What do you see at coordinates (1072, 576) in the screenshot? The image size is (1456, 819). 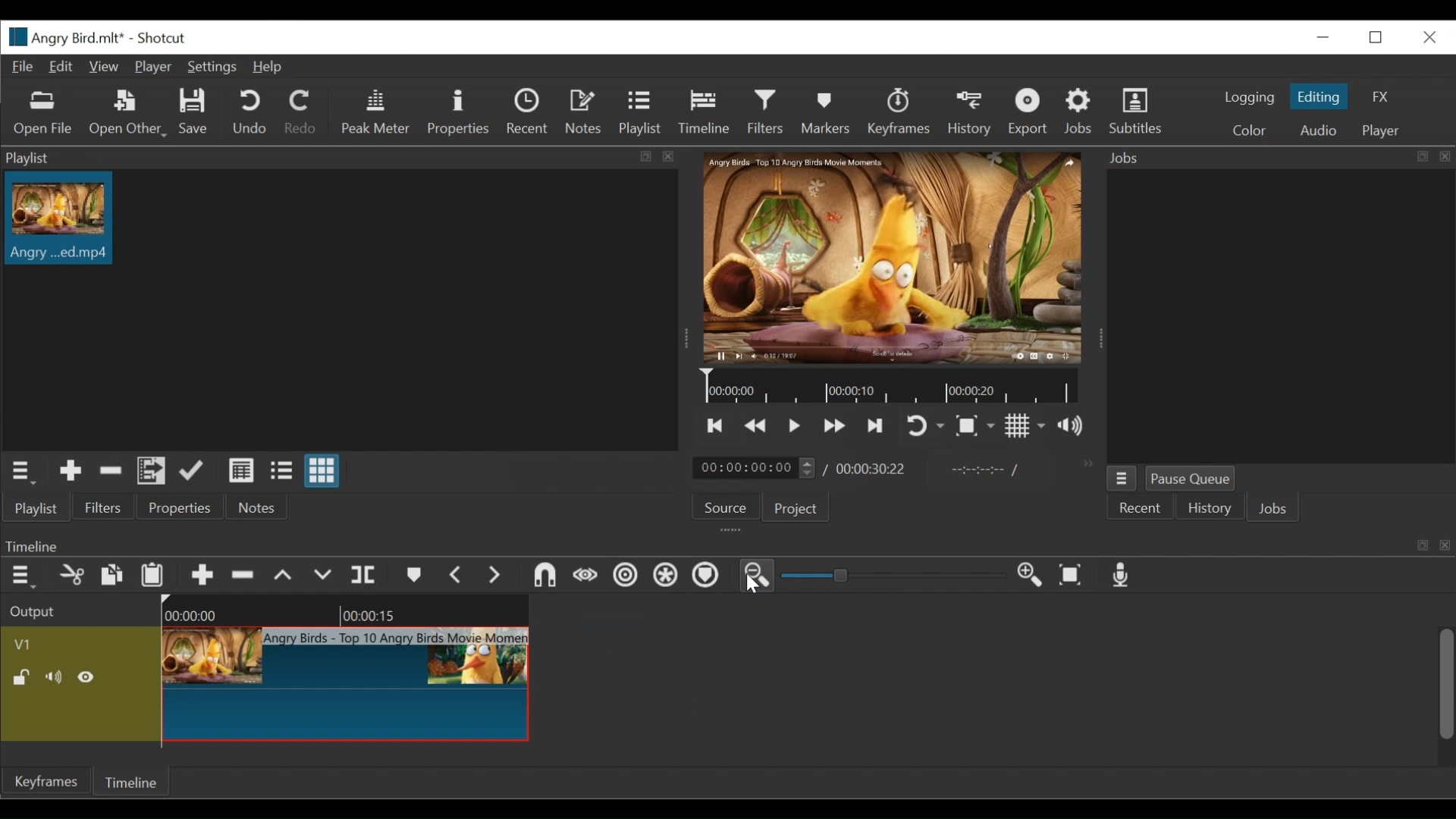 I see `Zoom timeline to fit` at bounding box center [1072, 576].